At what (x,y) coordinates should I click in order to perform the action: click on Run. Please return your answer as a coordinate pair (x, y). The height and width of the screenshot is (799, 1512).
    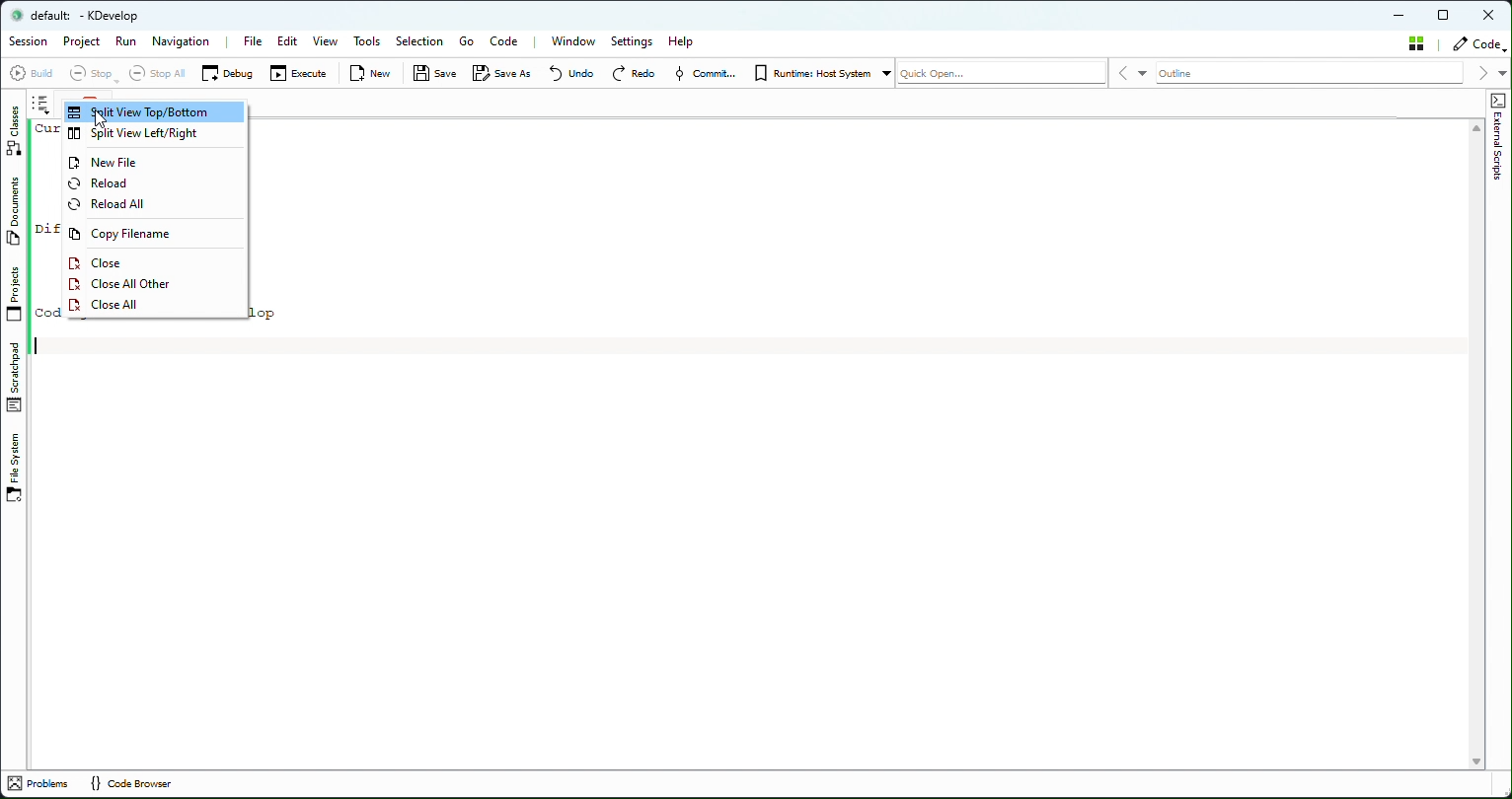
    Looking at the image, I should click on (126, 41).